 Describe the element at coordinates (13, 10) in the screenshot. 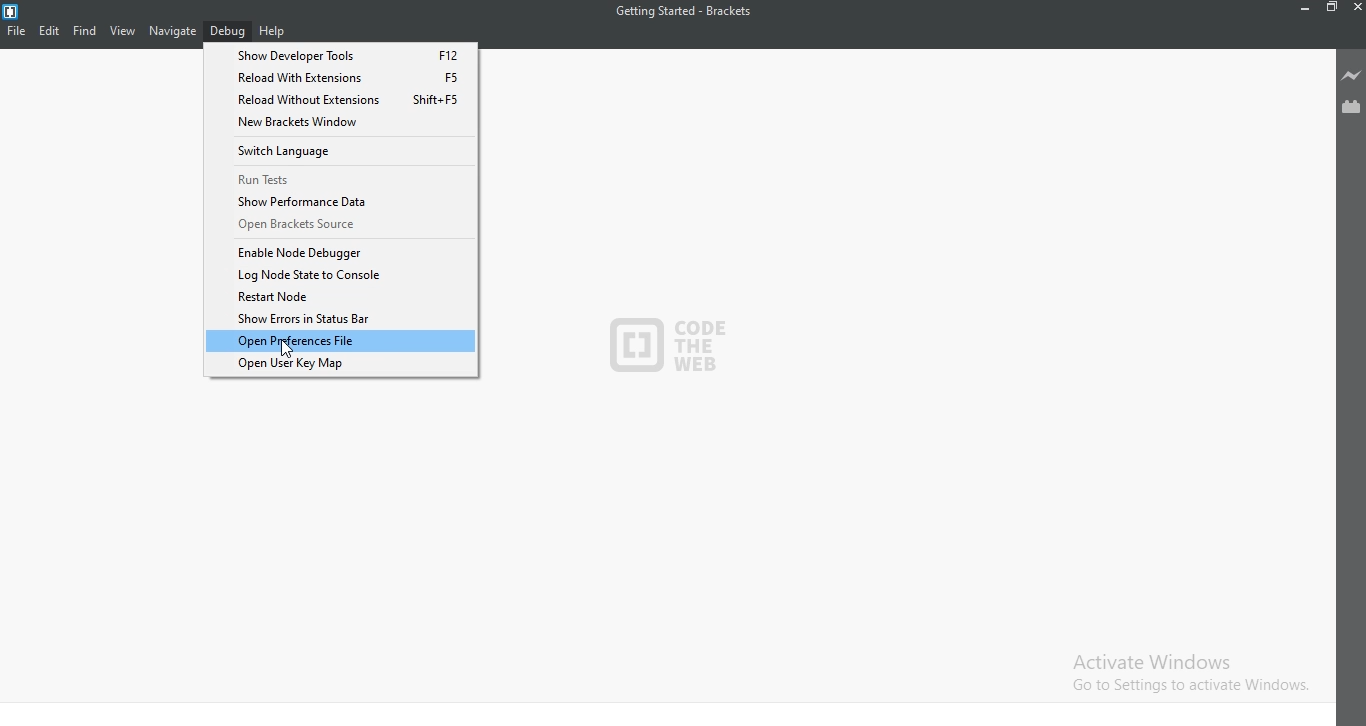

I see `Logo` at that location.